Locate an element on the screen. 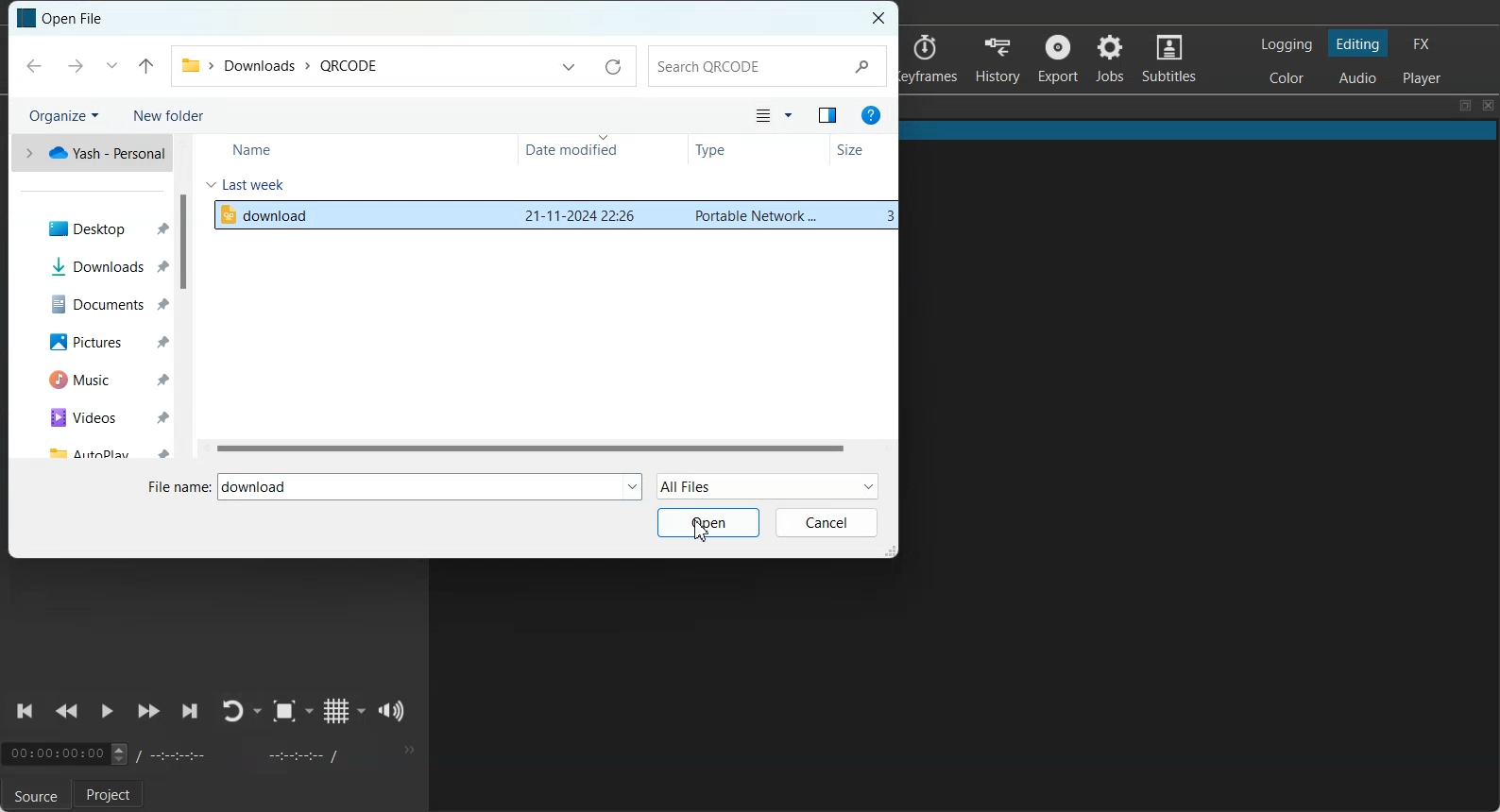 Image resolution: width=1500 pixels, height=812 pixels. More is located at coordinates (407, 750).